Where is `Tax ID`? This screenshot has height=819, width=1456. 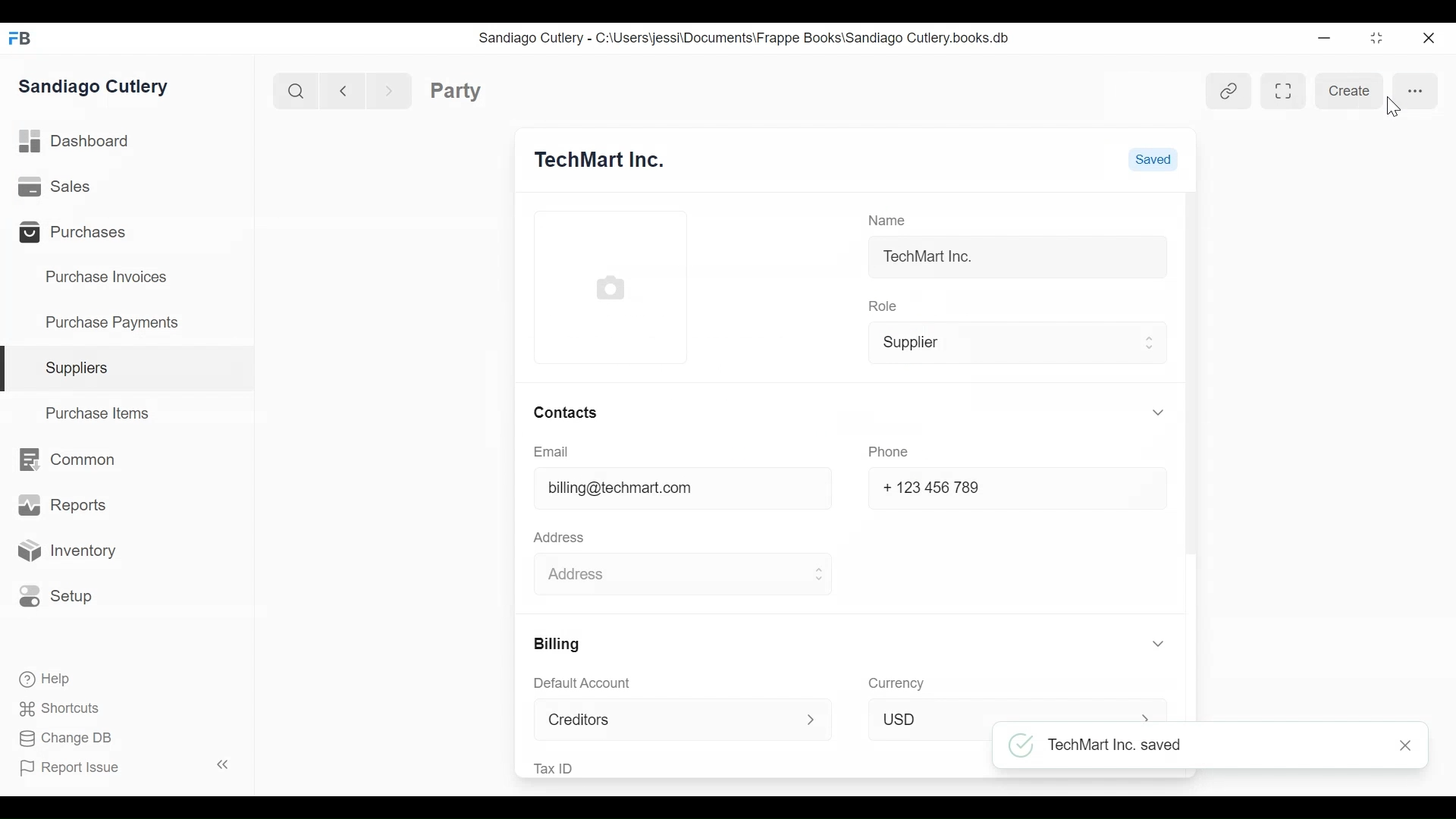
Tax ID is located at coordinates (558, 767).